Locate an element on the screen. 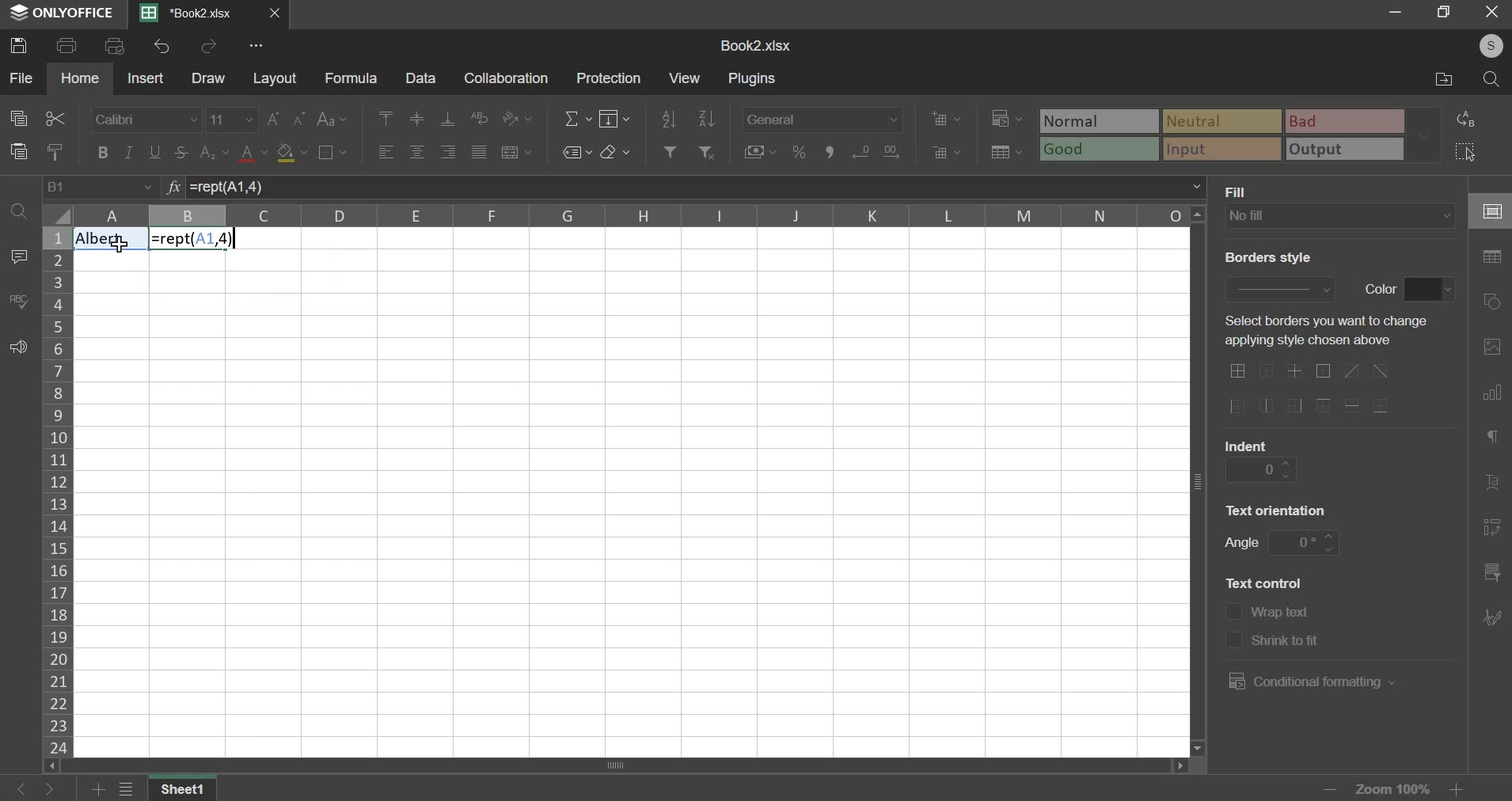  add filter is located at coordinates (671, 151).